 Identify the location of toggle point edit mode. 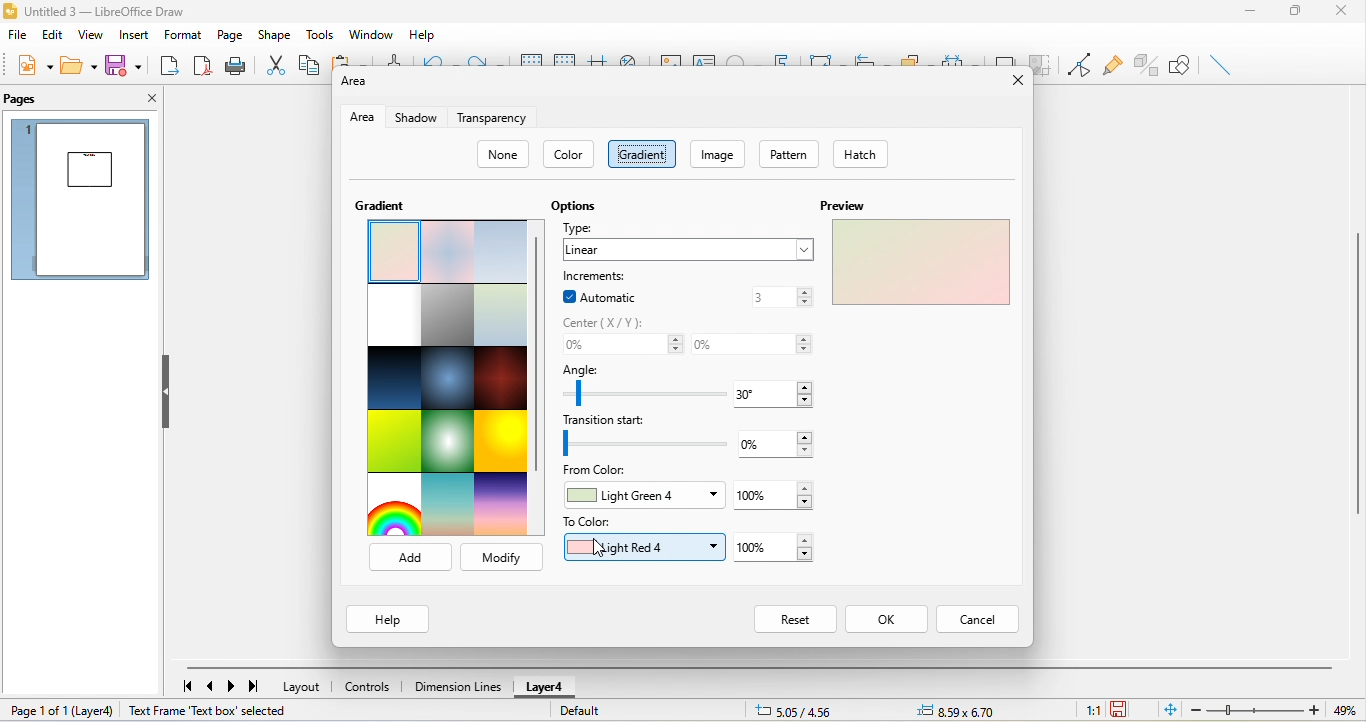
(1080, 65).